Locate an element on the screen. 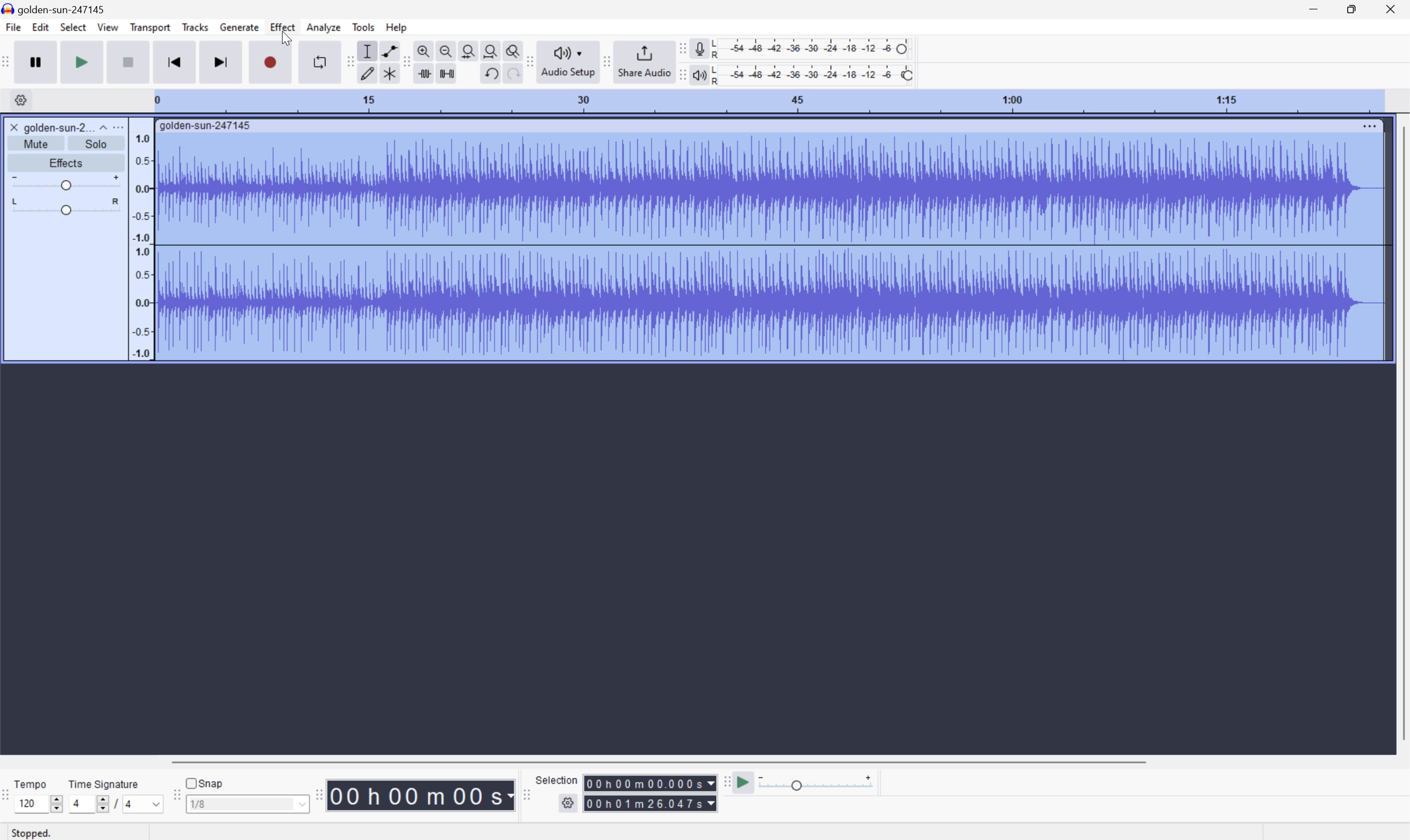  Zoom toggle is located at coordinates (510, 50).